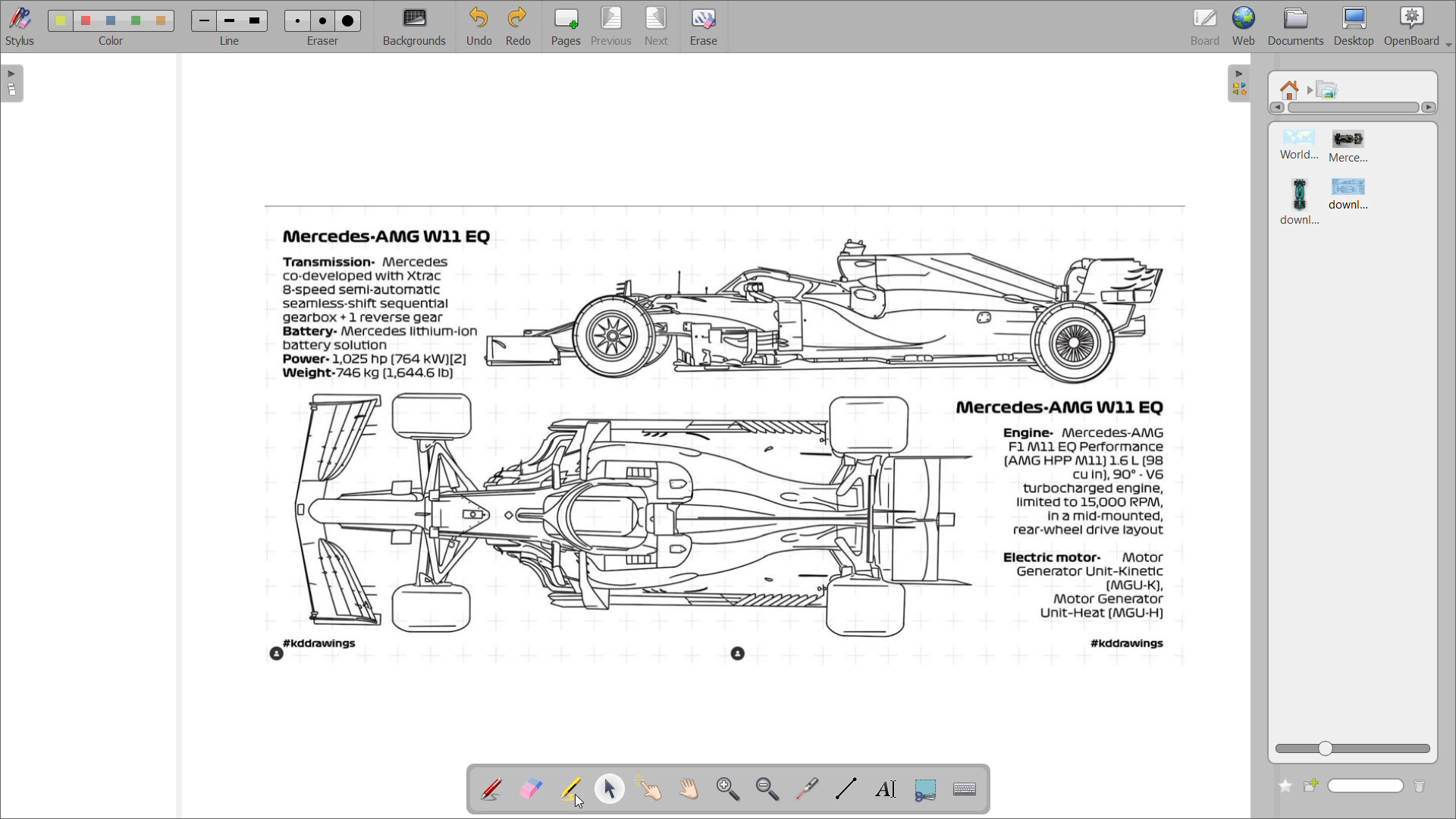 This screenshot has height=819, width=1456. What do you see at coordinates (615, 789) in the screenshot?
I see `select and modify objects` at bounding box center [615, 789].